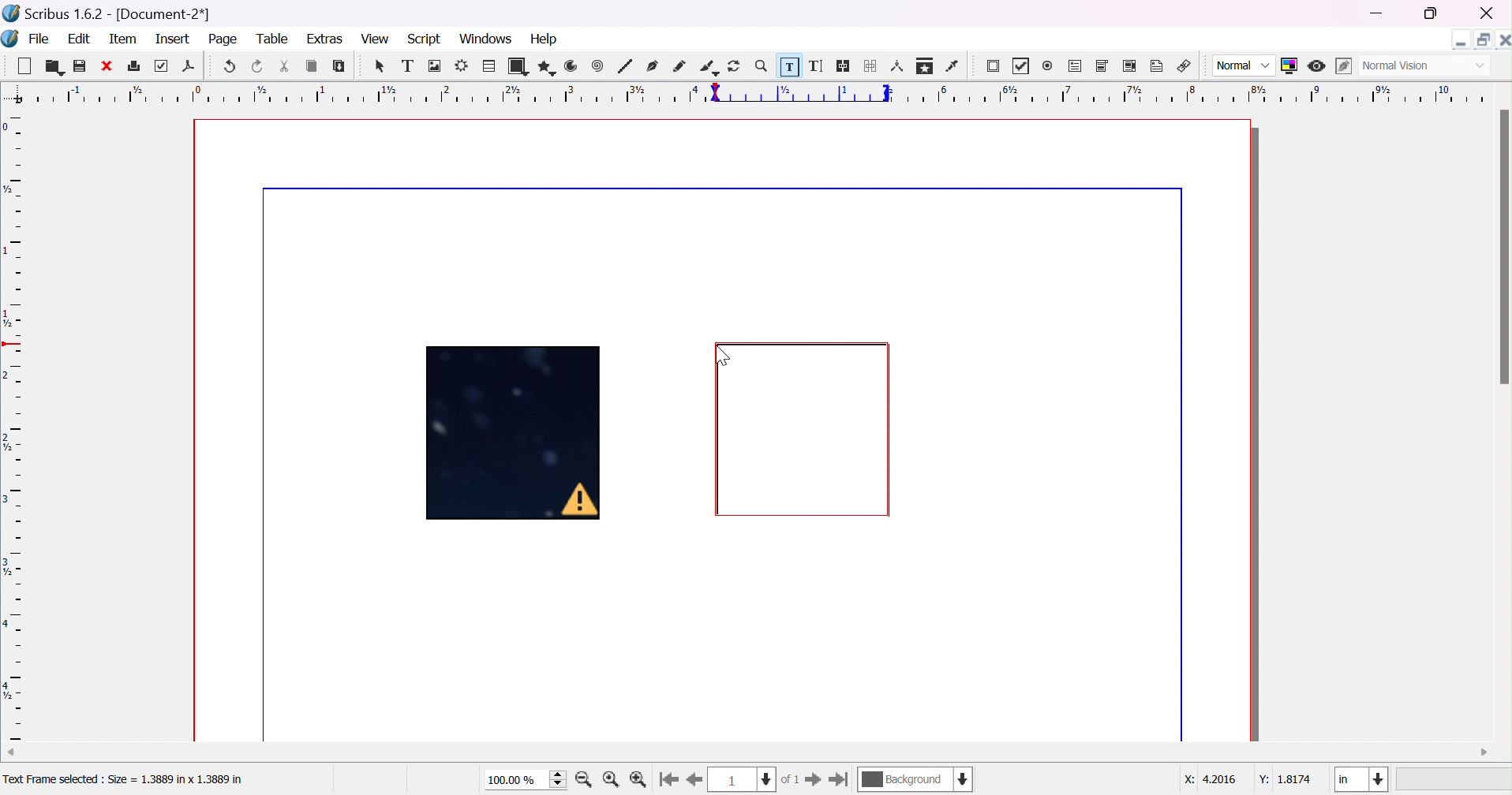 The height and width of the screenshot is (795, 1512). I want to click on close, so click(105, 66).